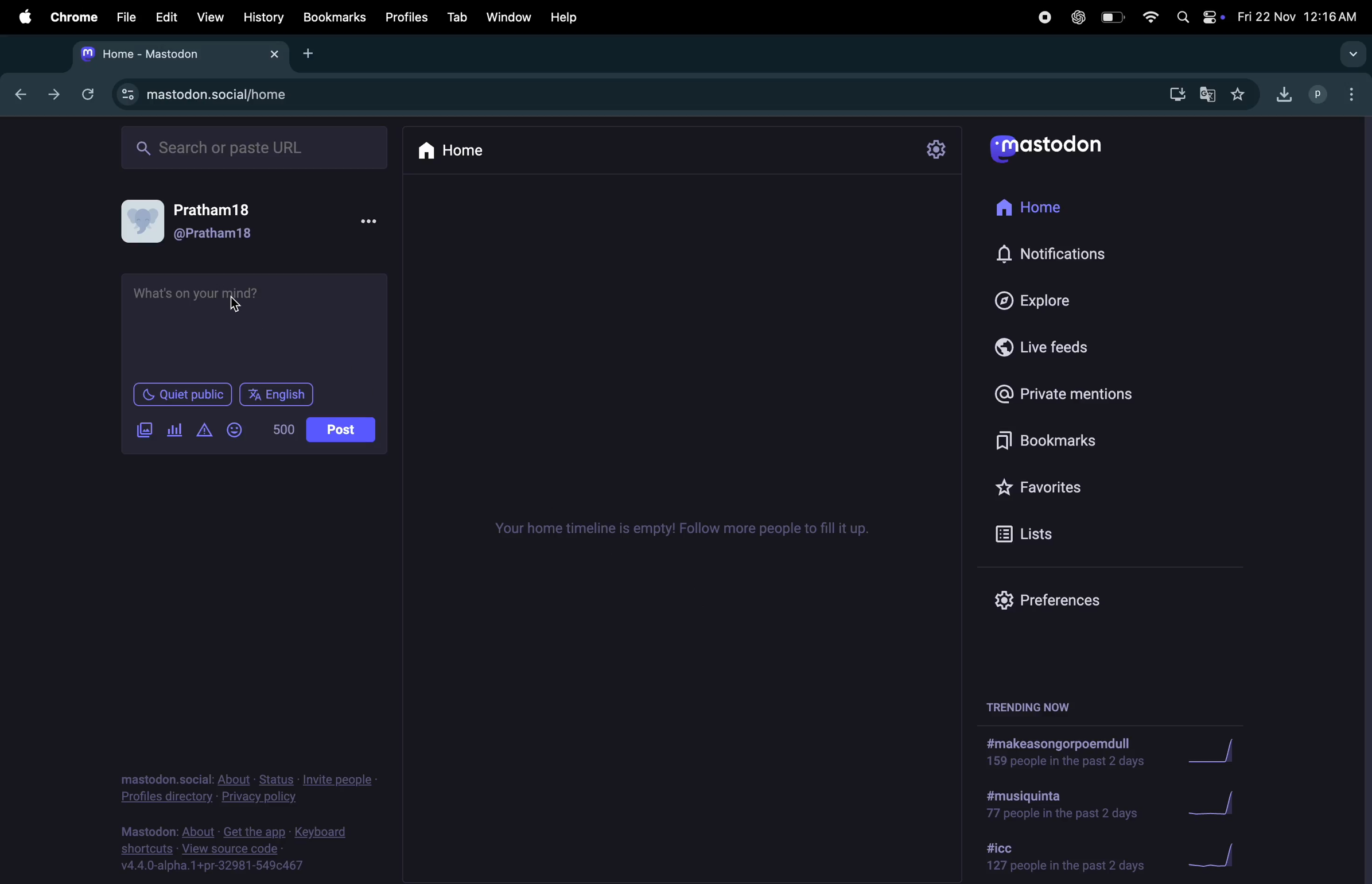  Describe the element at coordinates (449, 150) in the screenshot. I see `home` at that location.